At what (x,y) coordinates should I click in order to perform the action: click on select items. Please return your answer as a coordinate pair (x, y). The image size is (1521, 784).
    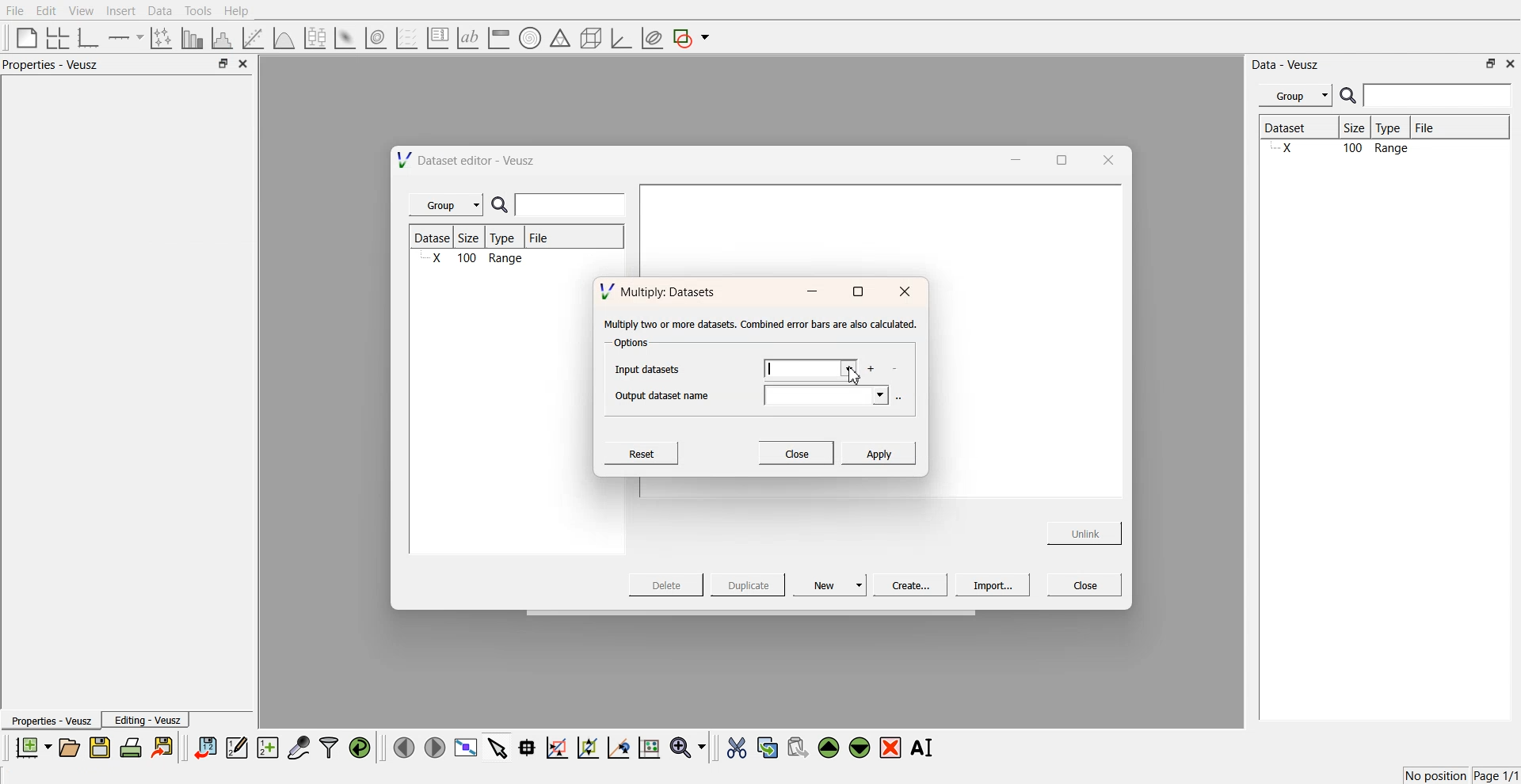
    Looking at the image, I should click on (497, 747).